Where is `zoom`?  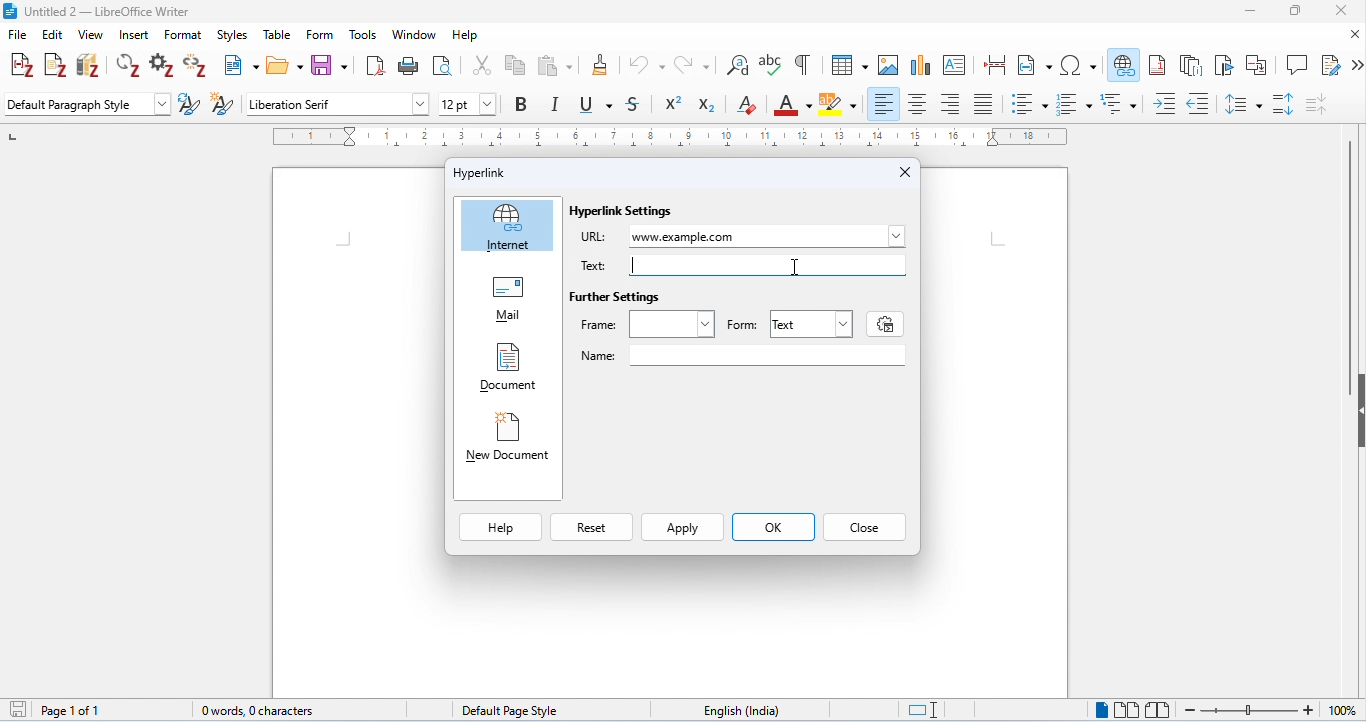 zoom is located at coordinates (1270, 710).